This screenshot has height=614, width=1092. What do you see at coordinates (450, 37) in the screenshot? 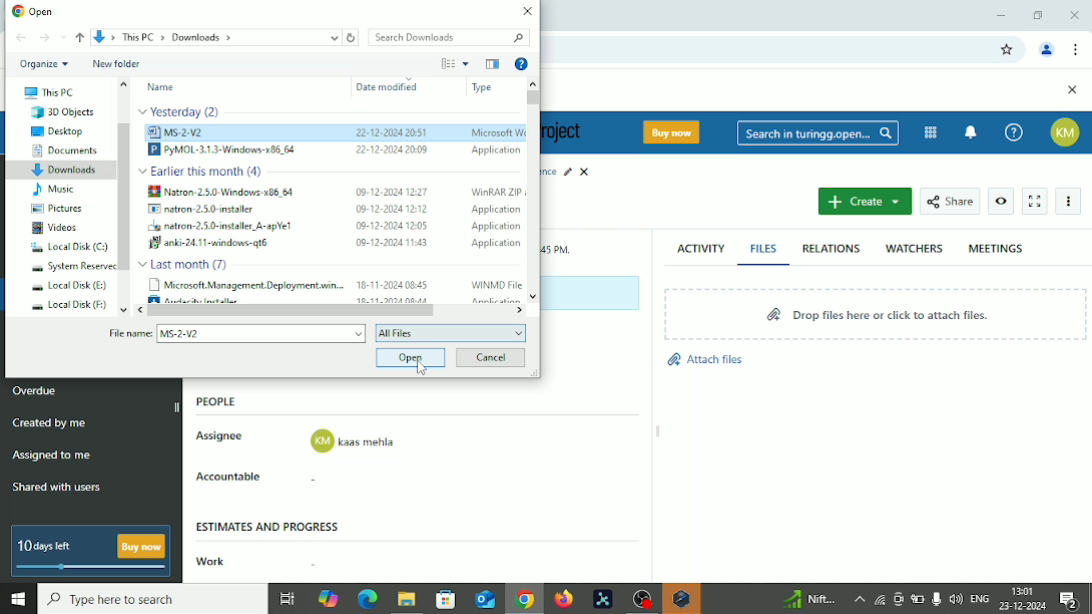
I see `Search` at bounding box center [450, 37].